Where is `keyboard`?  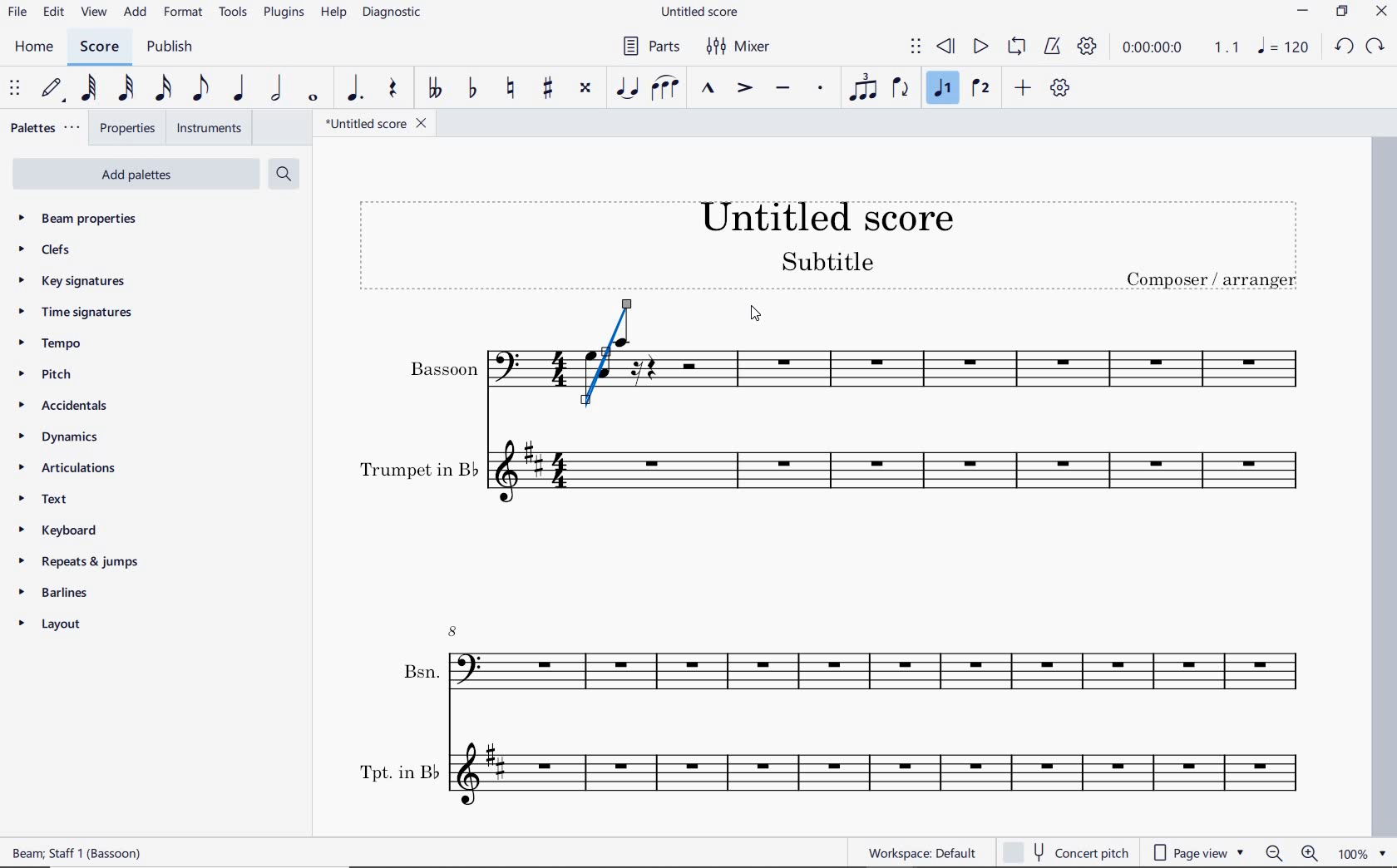 keyboard is located at coordinates (62, 529).